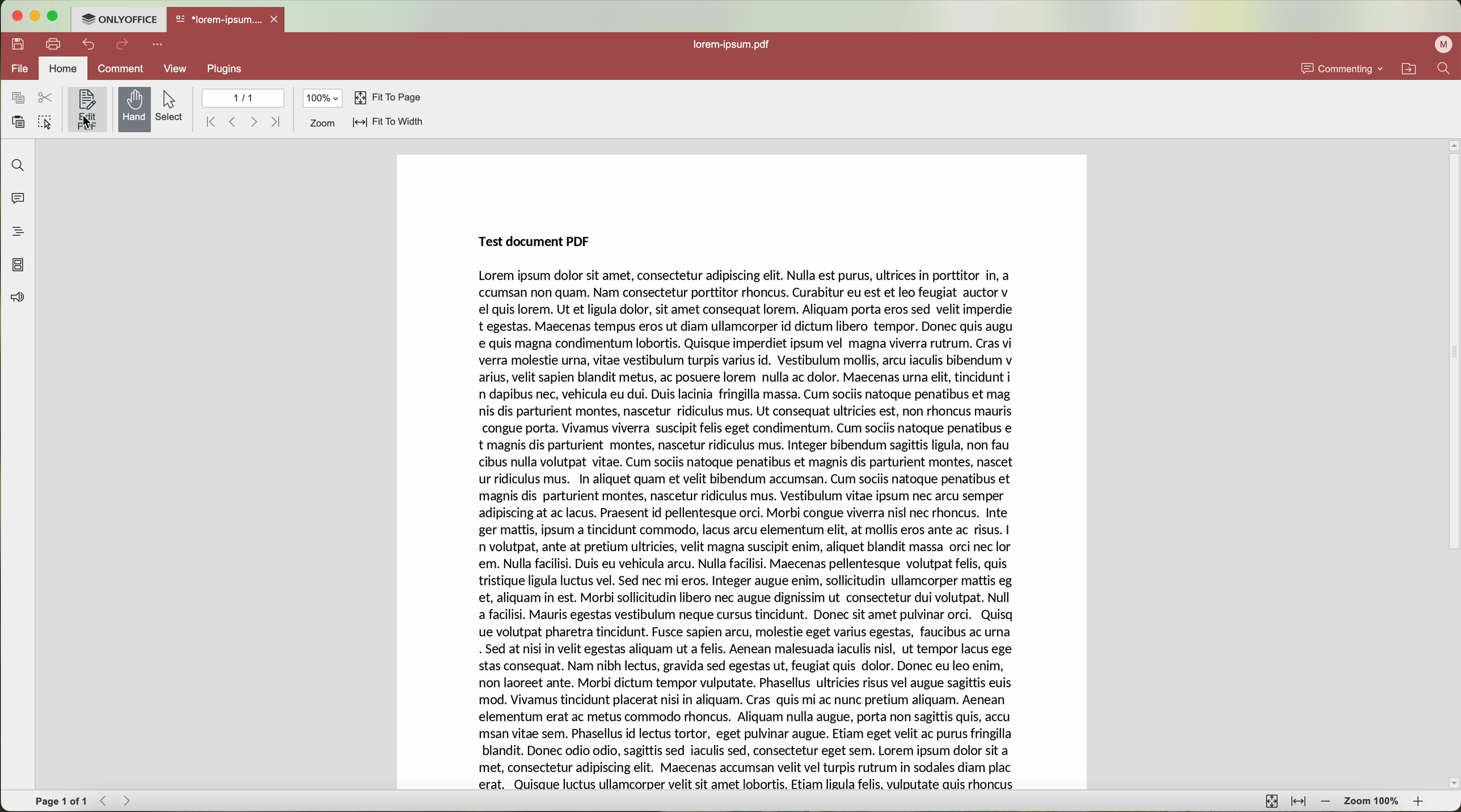 This screenshot has width=1461, height=812. What do you see at coordinates (244, 98) in the screenshot?
I see `1/1` at bounding box center [244, 98].